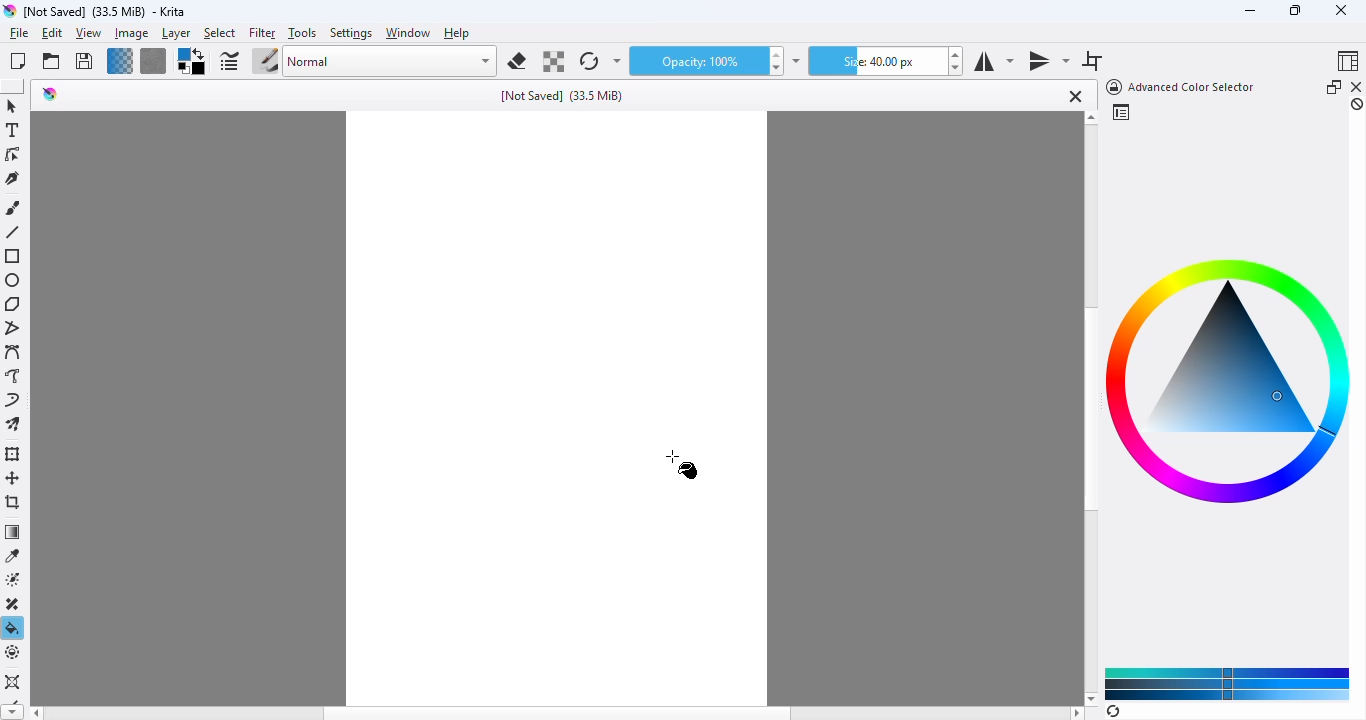 This screenshot has height=720, width=1366. I want to click on multibrush tool, so click(13, 424).